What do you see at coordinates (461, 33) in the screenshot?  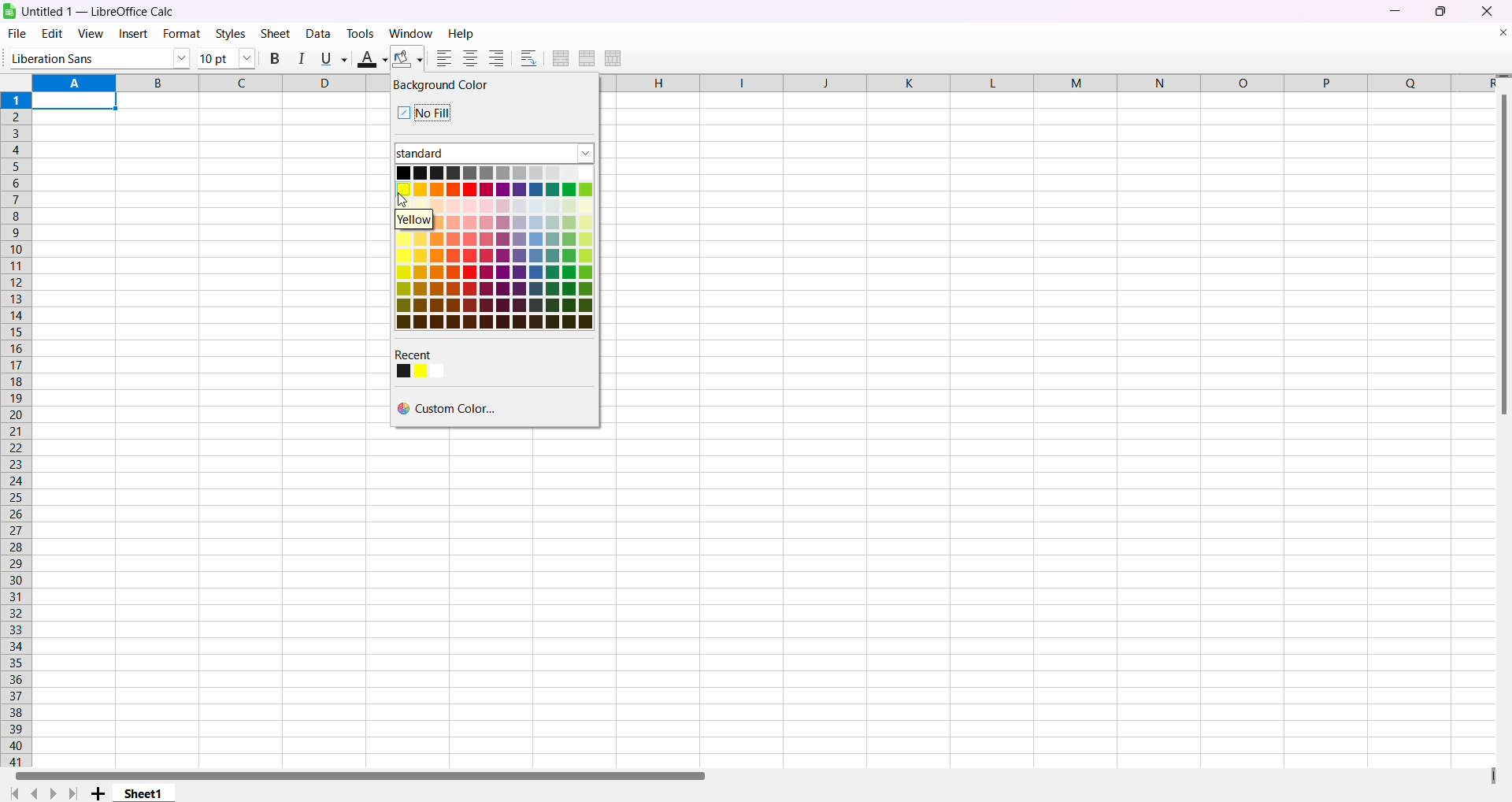 I see `help` at bounding box center [461, 33].